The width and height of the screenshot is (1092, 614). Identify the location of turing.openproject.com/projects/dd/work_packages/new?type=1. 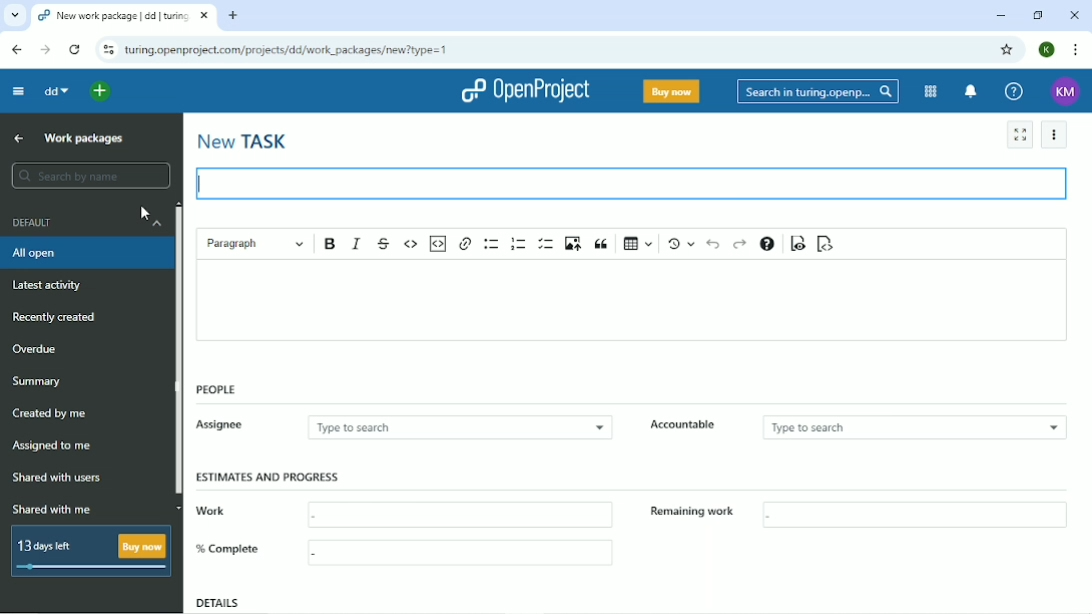
(289, 50).